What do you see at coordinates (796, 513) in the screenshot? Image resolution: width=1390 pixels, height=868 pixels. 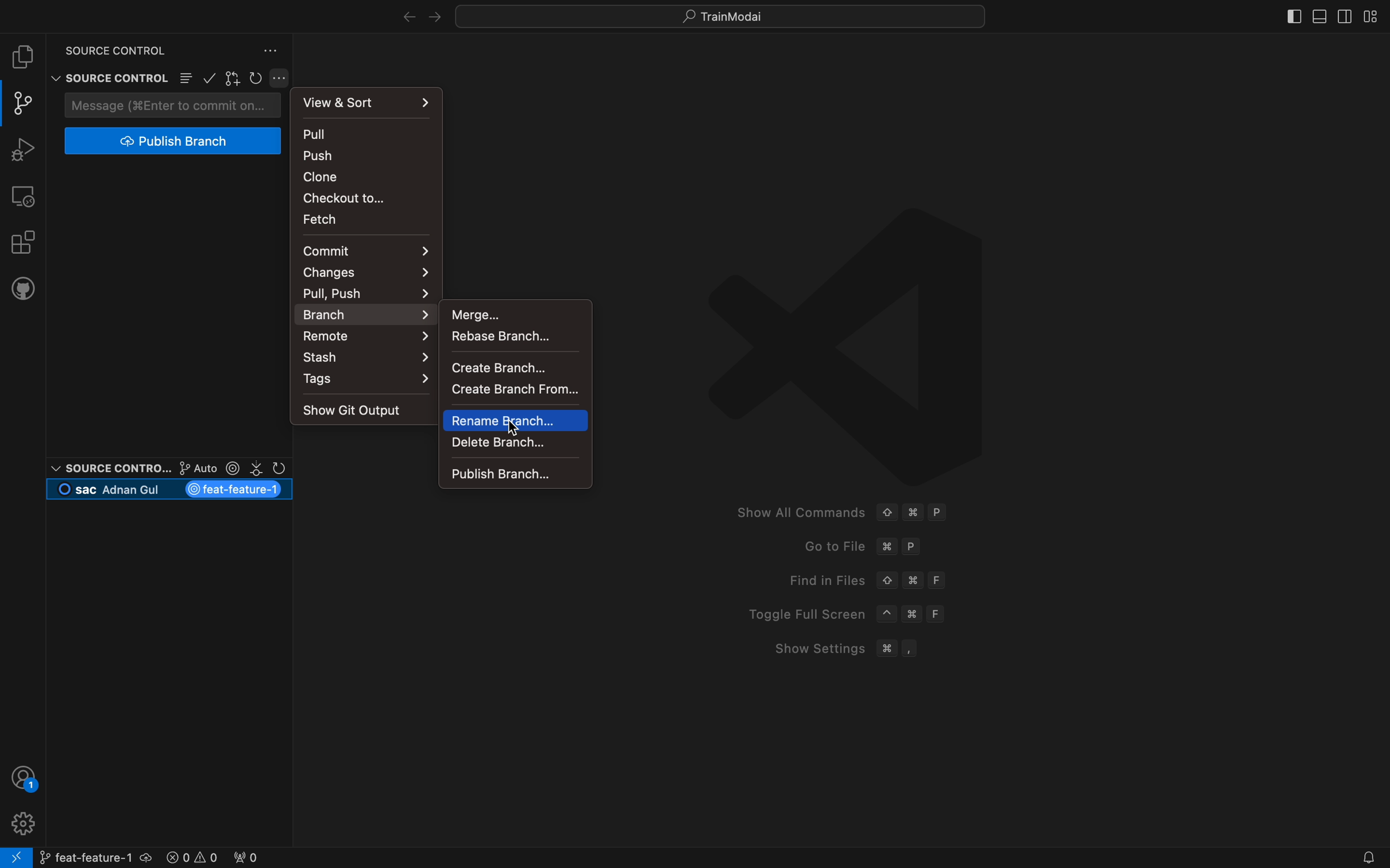 I see `Show All Commands` at bounding box center [796, 513].